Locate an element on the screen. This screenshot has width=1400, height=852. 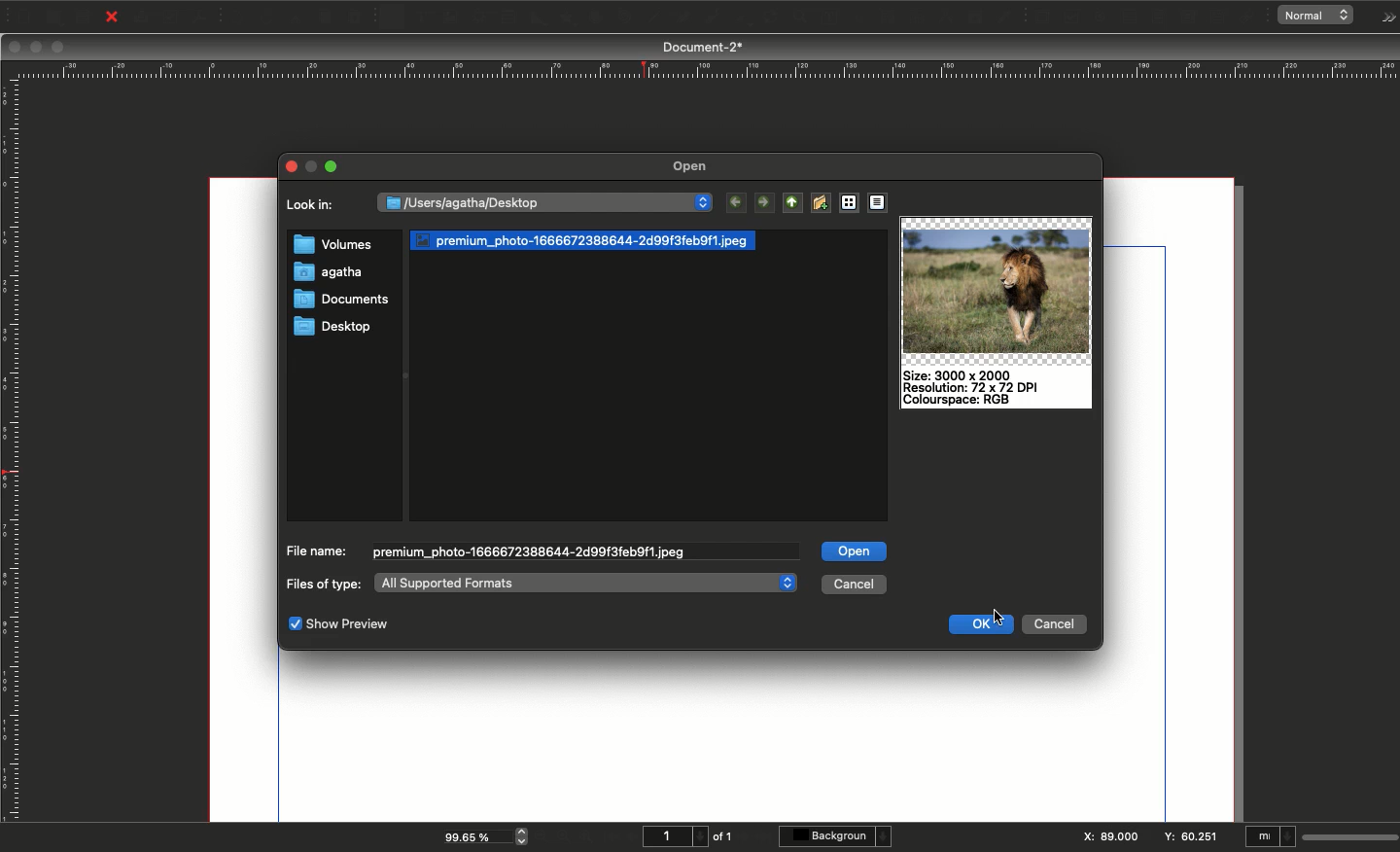
Measurements is located at coordinates (941, 18).